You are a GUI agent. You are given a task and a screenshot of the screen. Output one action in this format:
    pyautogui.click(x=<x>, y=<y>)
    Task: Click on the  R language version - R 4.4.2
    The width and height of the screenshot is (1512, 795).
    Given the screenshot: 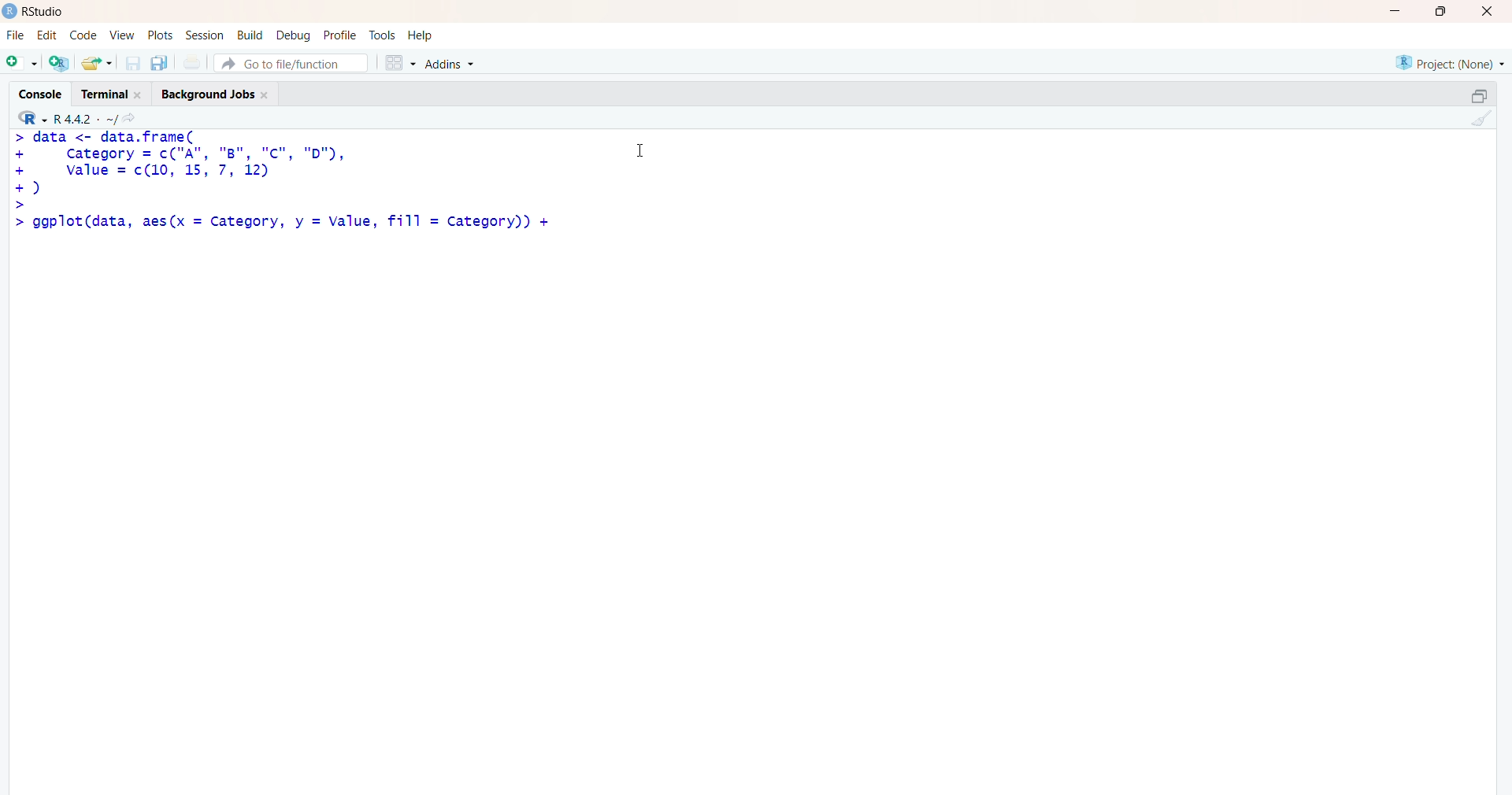 What is the action you would take?
    pyautogui.click(x=85, y=117)
    